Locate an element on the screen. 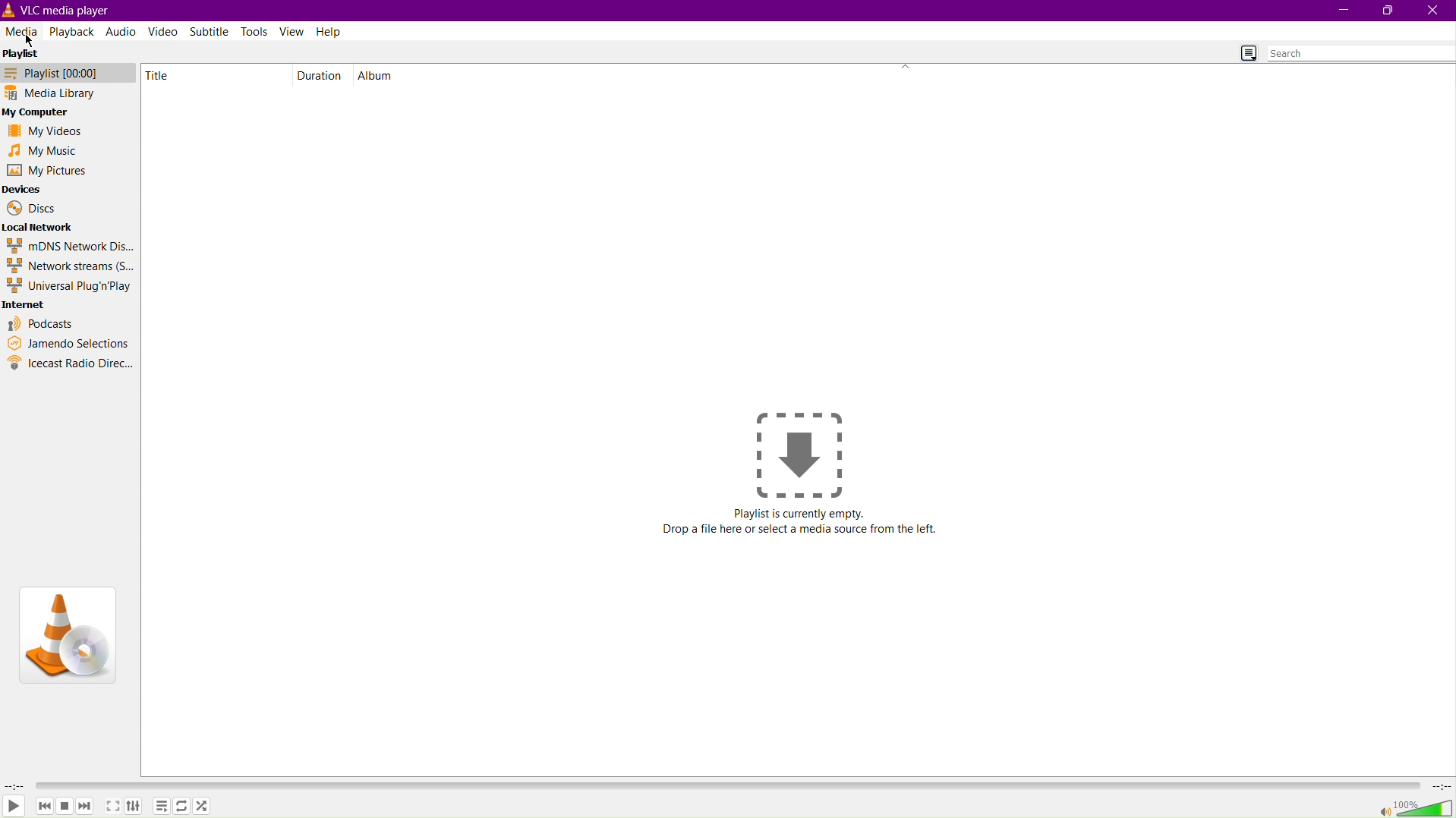  Playlist is located at coordinates (162, 807).